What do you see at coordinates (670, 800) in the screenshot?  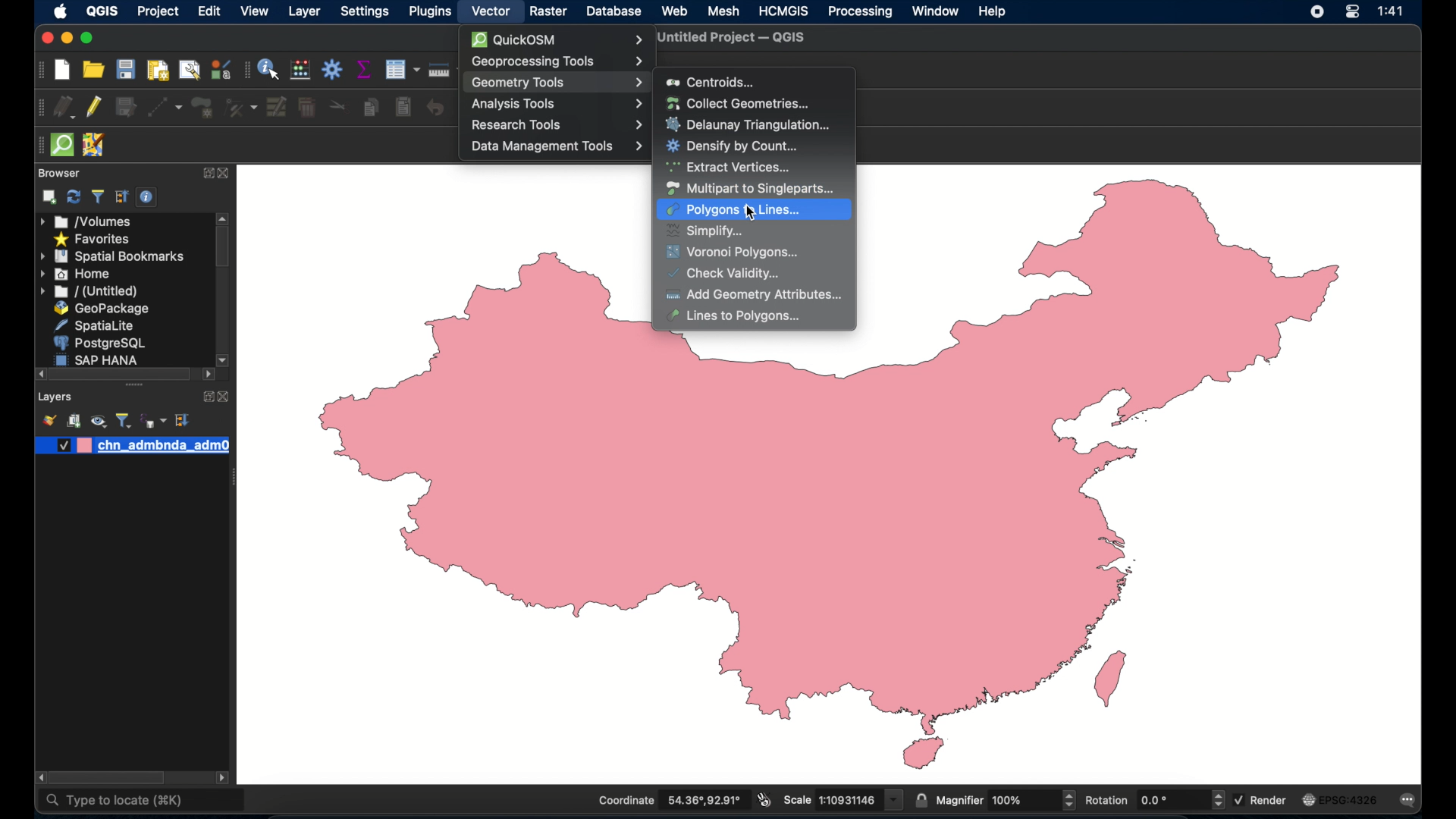 I see `coordinate` at bounding box center [670, 800].